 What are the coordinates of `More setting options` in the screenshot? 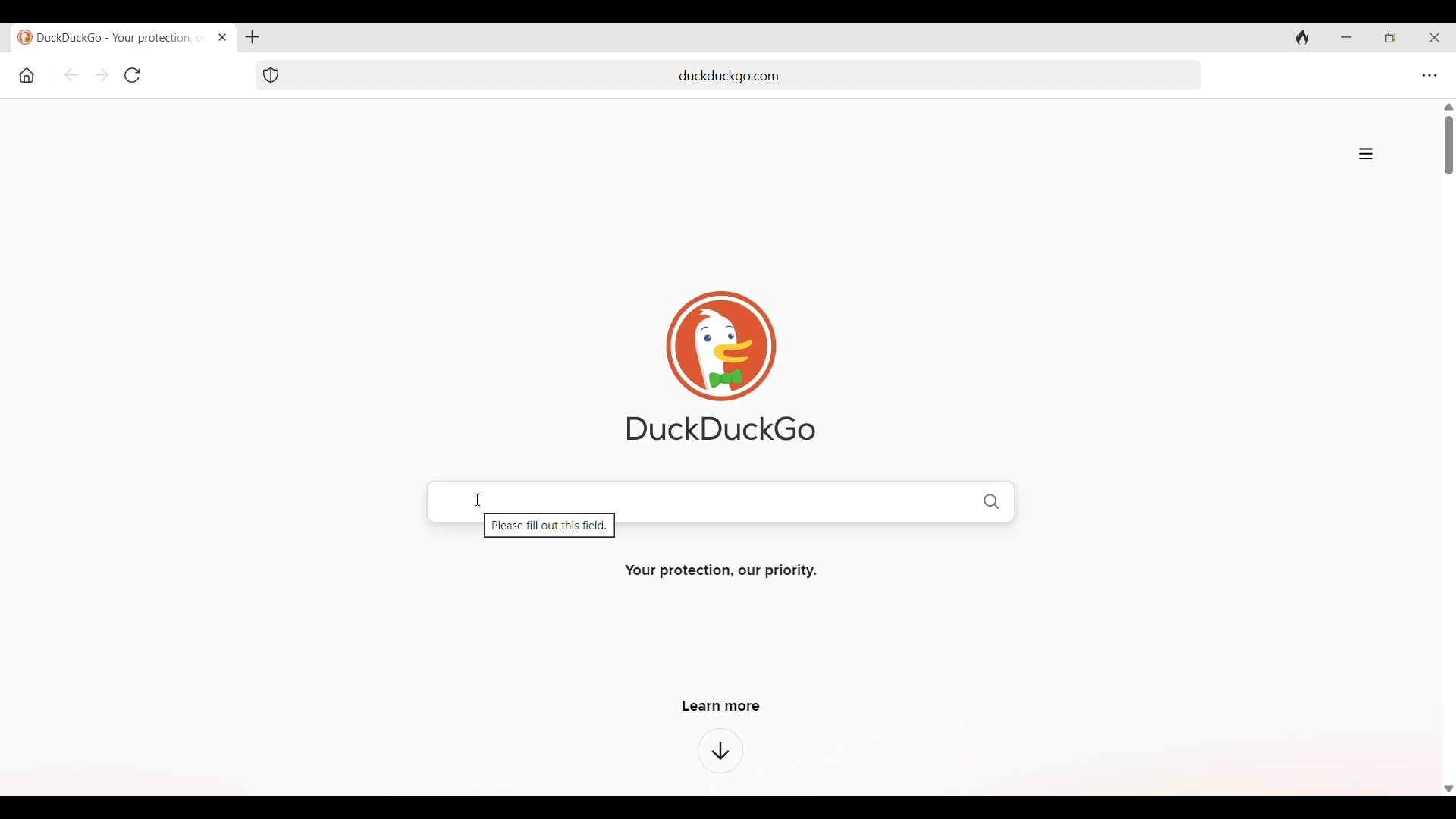 It's located at (1430, 76).